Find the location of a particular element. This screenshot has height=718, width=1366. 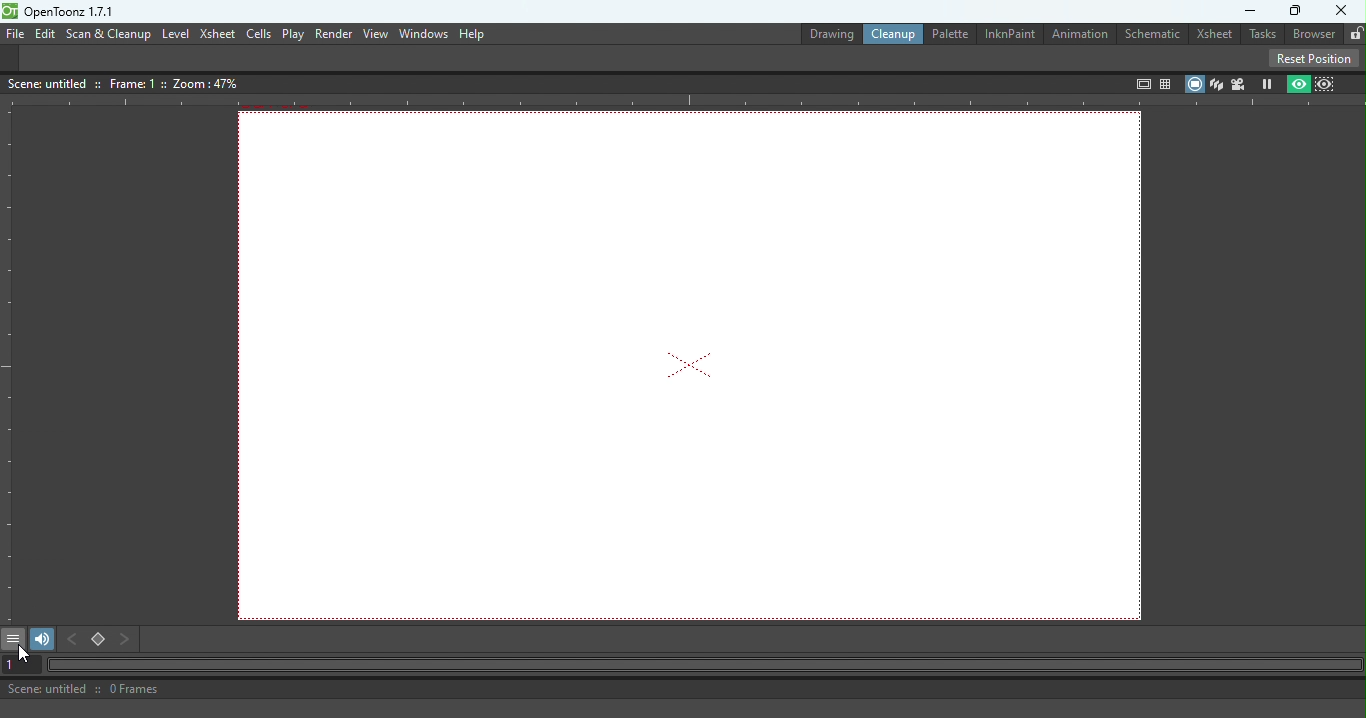

Set key is located at coordinates (99, 641).